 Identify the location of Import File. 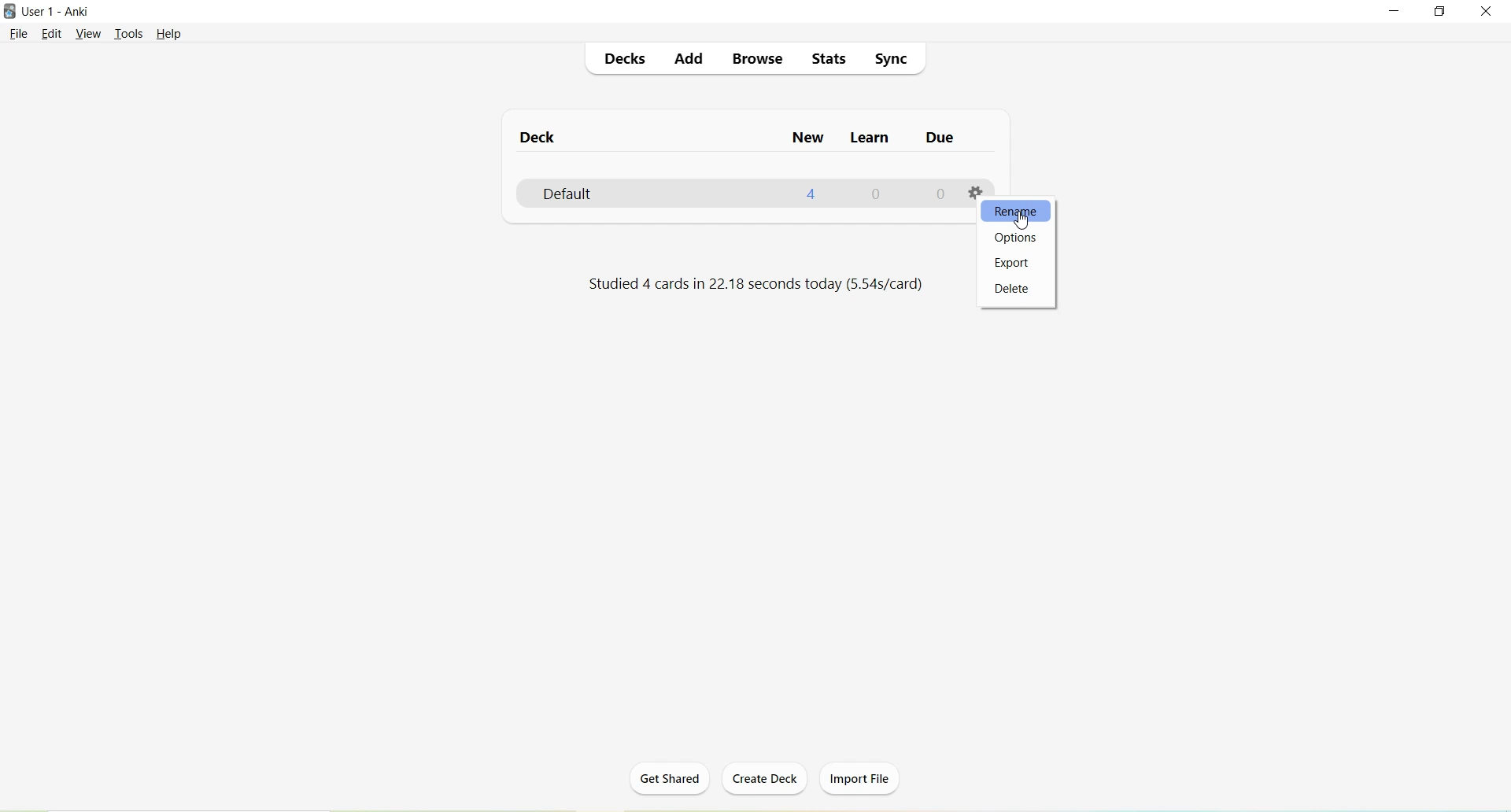
(861, 778).